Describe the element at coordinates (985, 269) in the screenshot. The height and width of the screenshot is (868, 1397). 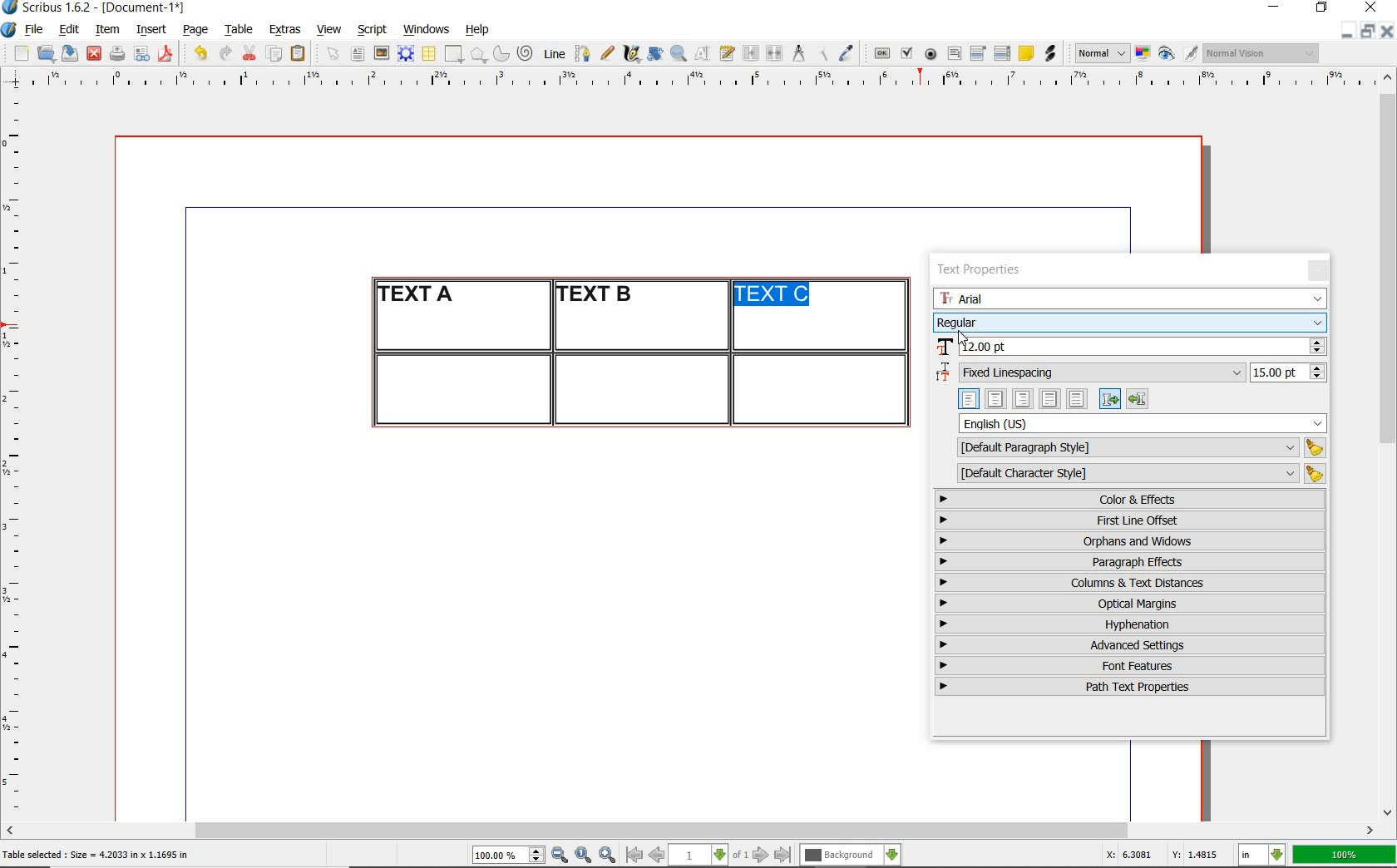
I see `text properties` at that location.